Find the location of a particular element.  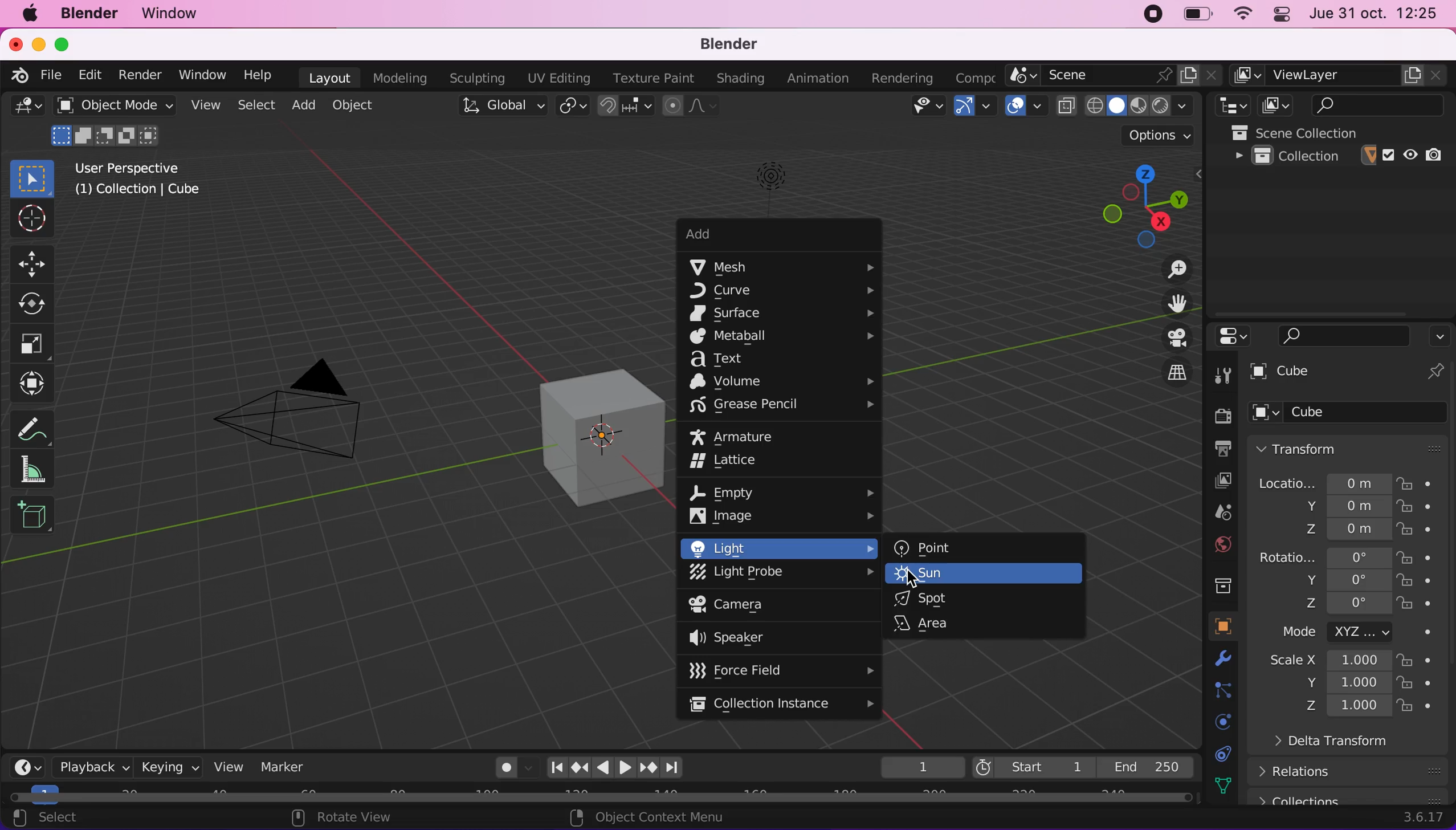

lock is located at coordinates (1428, 508).